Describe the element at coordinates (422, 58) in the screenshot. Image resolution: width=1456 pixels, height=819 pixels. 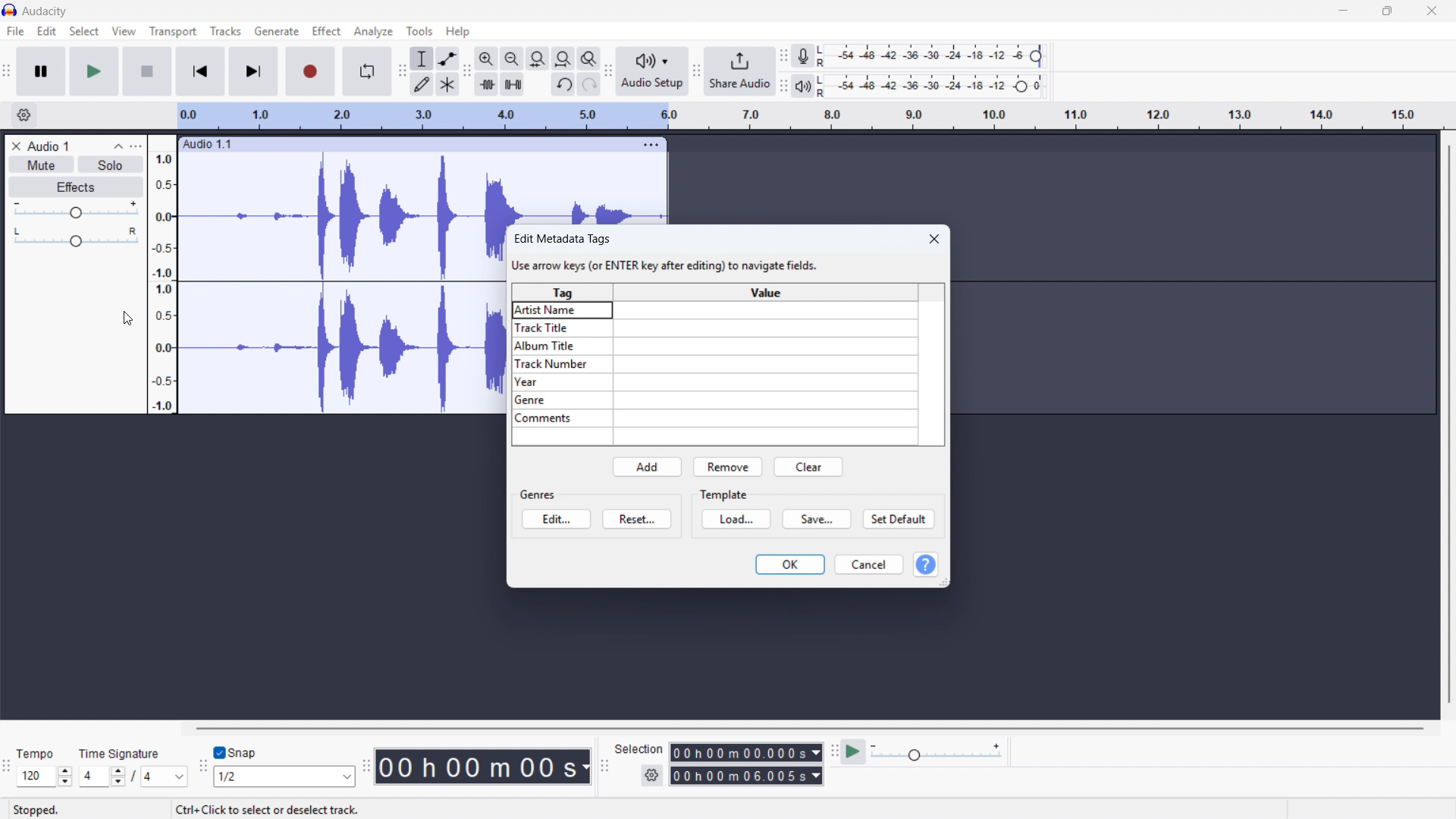
I see `selection tool` at that location.